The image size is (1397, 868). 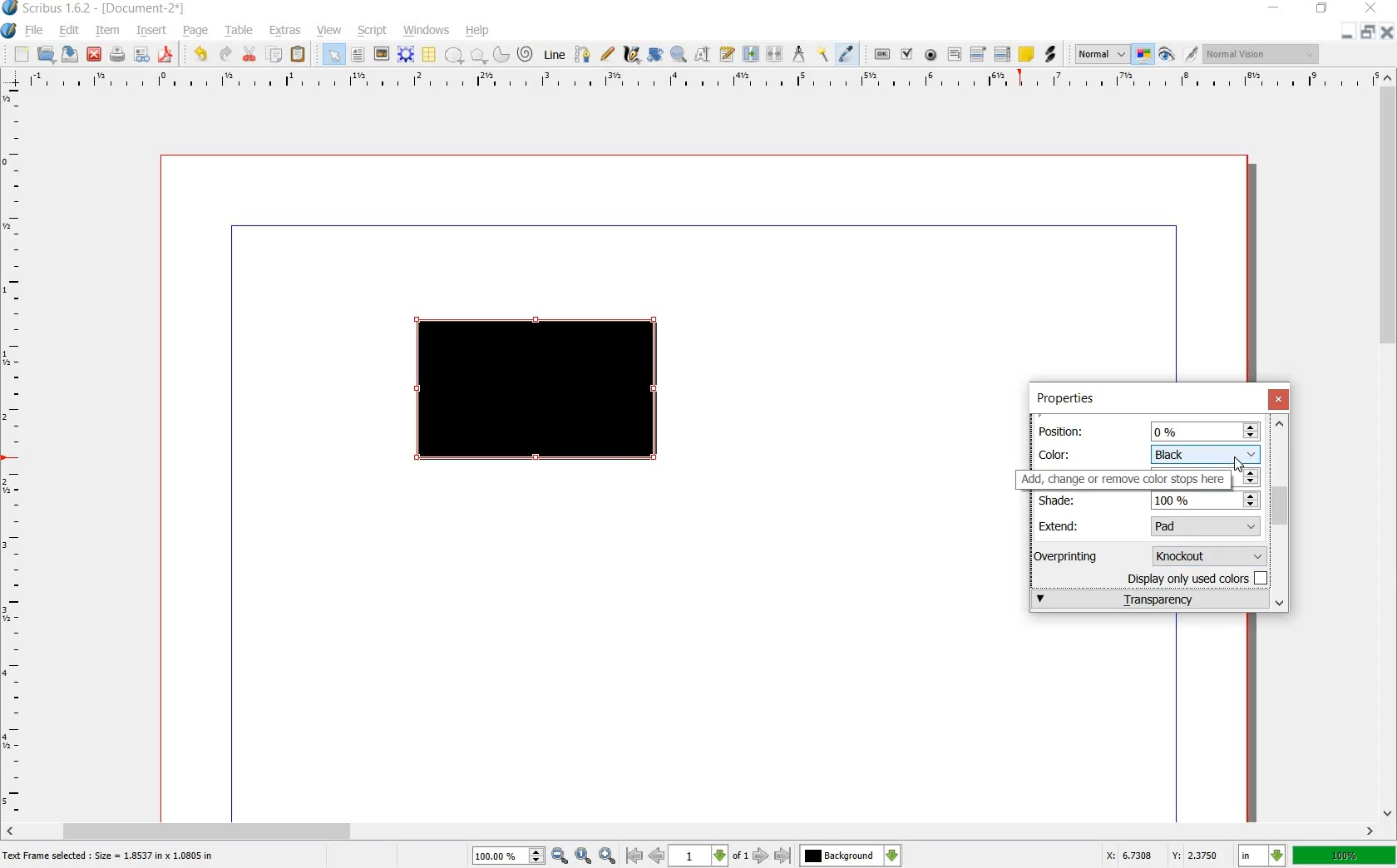 What do you see at coordinates (560, 856) in the screenshot?
I see `zoom out` at bounding box center [560, 856].